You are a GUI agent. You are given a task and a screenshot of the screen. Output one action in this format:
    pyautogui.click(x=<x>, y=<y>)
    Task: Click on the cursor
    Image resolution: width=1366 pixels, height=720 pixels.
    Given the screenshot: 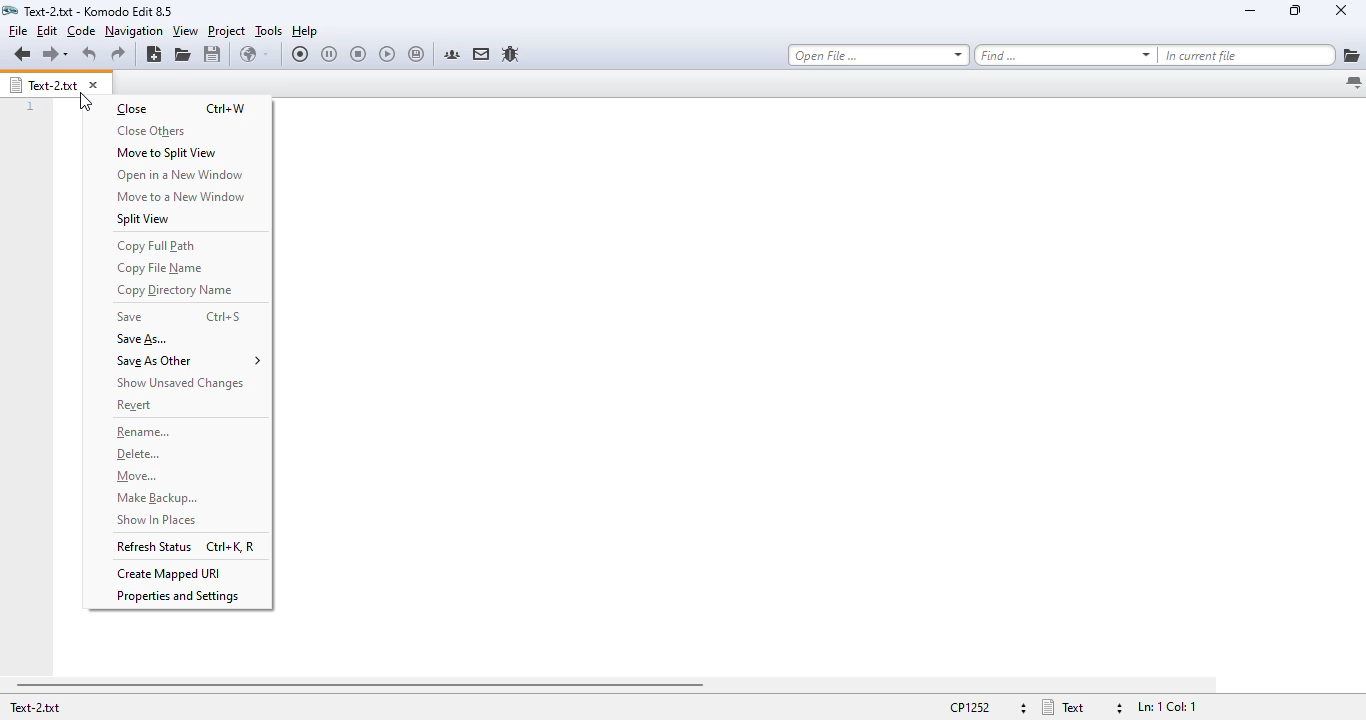 What is the action you would take?
    pyautogui.click(x=86, y=102)
    